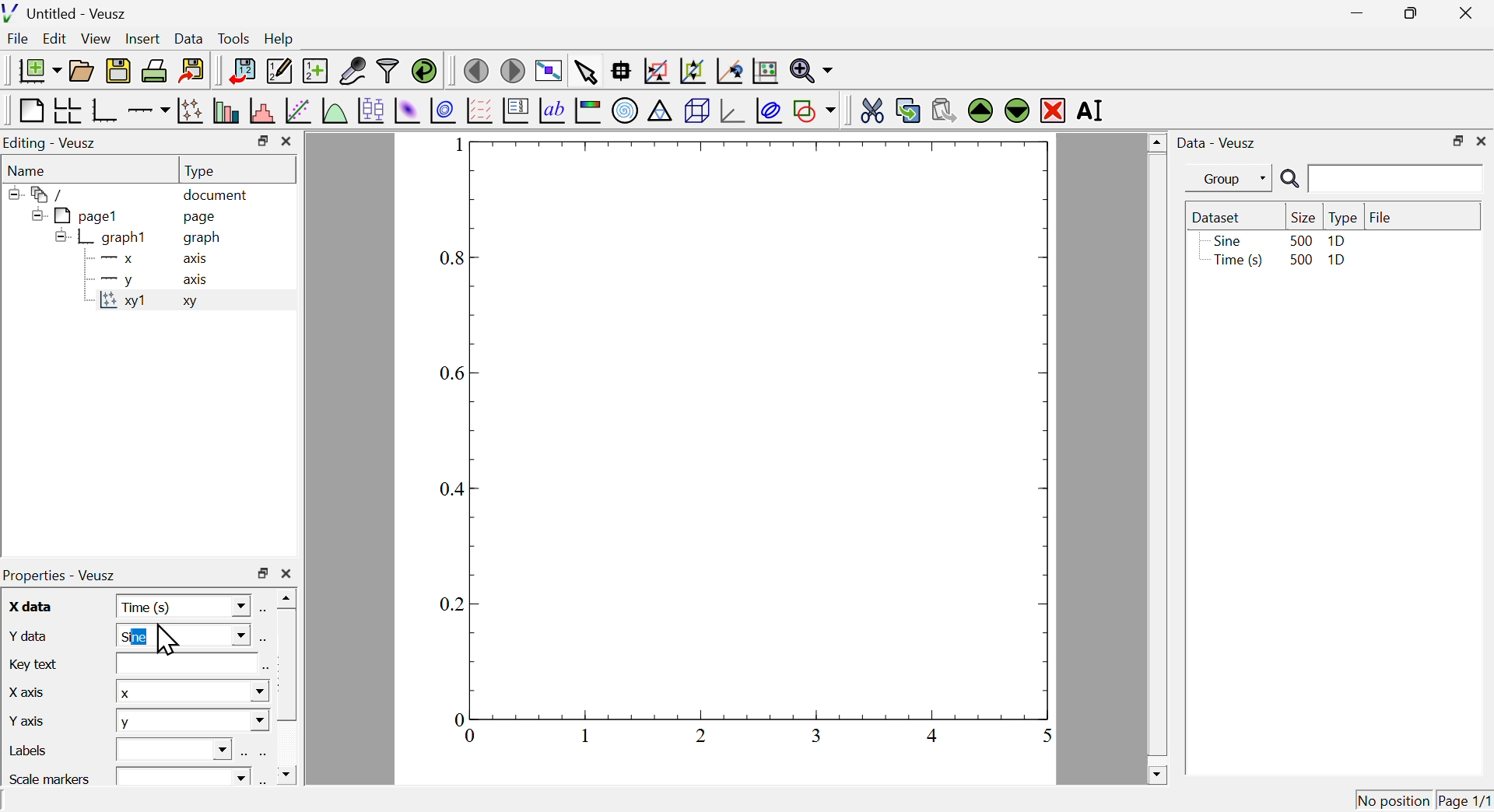  I want to click on plot a vector field, so click(479, 110).